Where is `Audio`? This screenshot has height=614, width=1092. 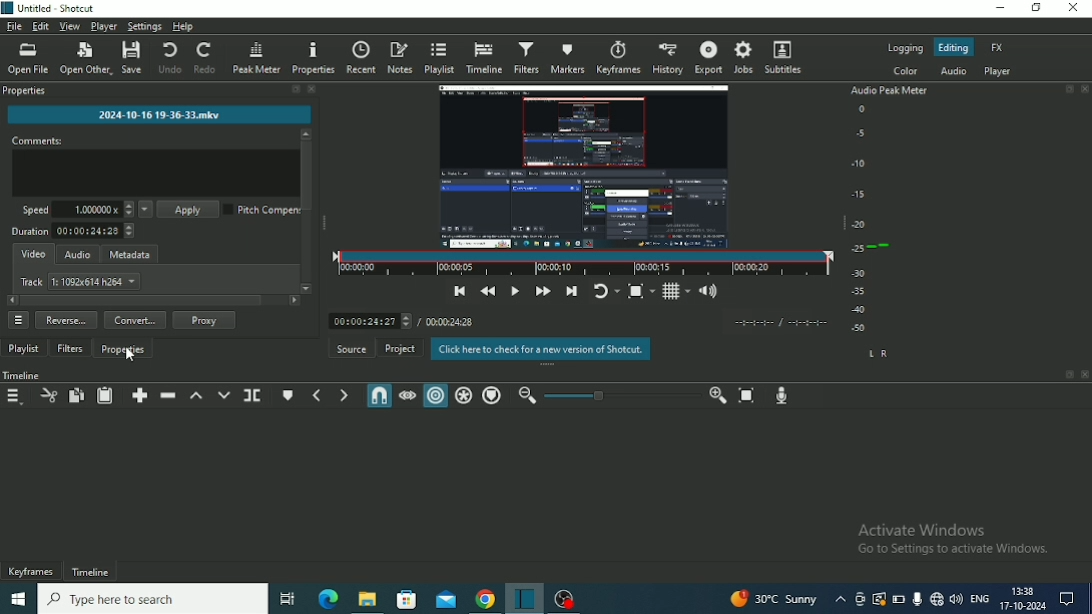
Audio is located at coordinates (77, 255).